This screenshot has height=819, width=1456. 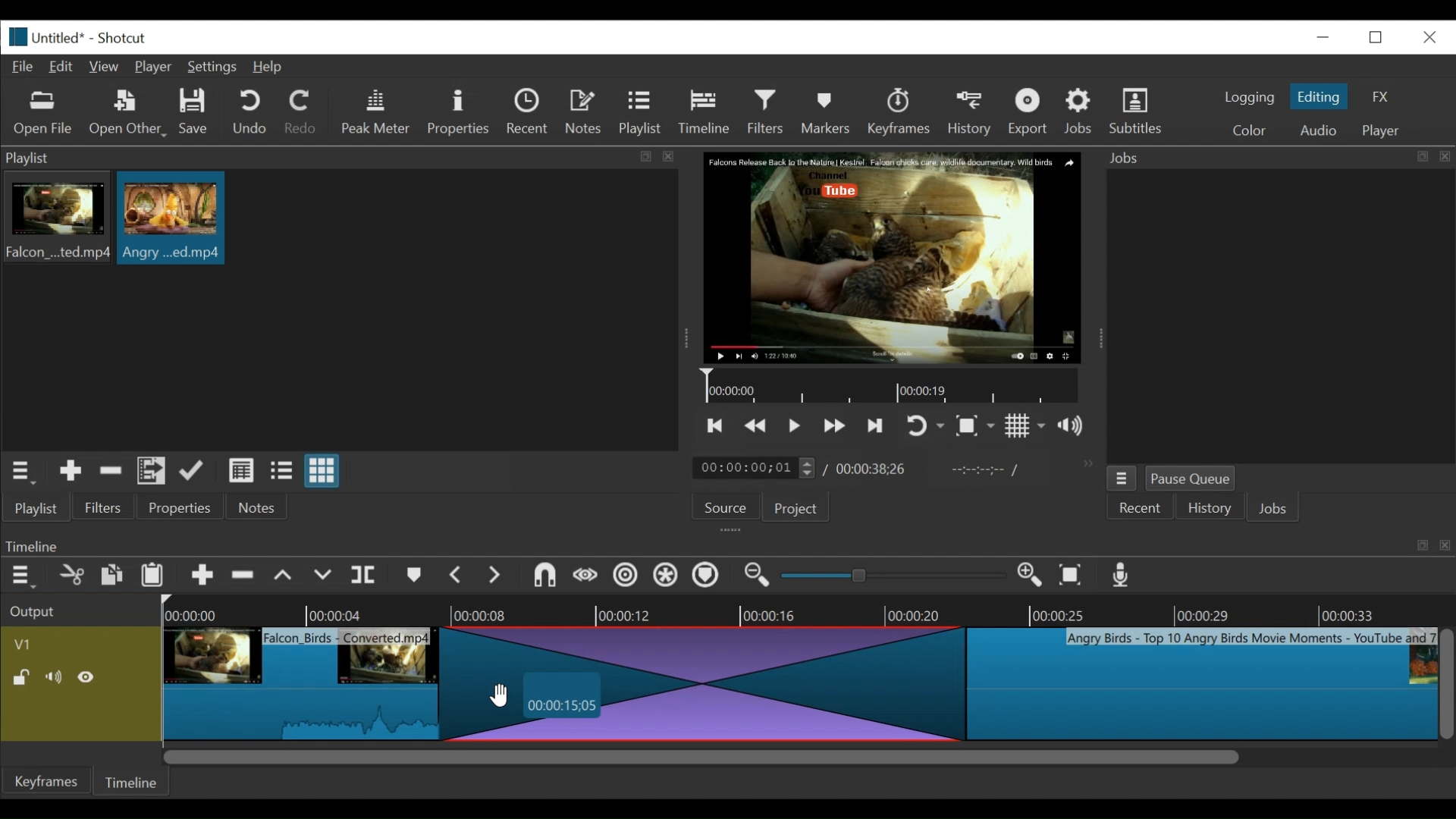 I want to click on Toggle play or pause, so click(x=795, y=425).